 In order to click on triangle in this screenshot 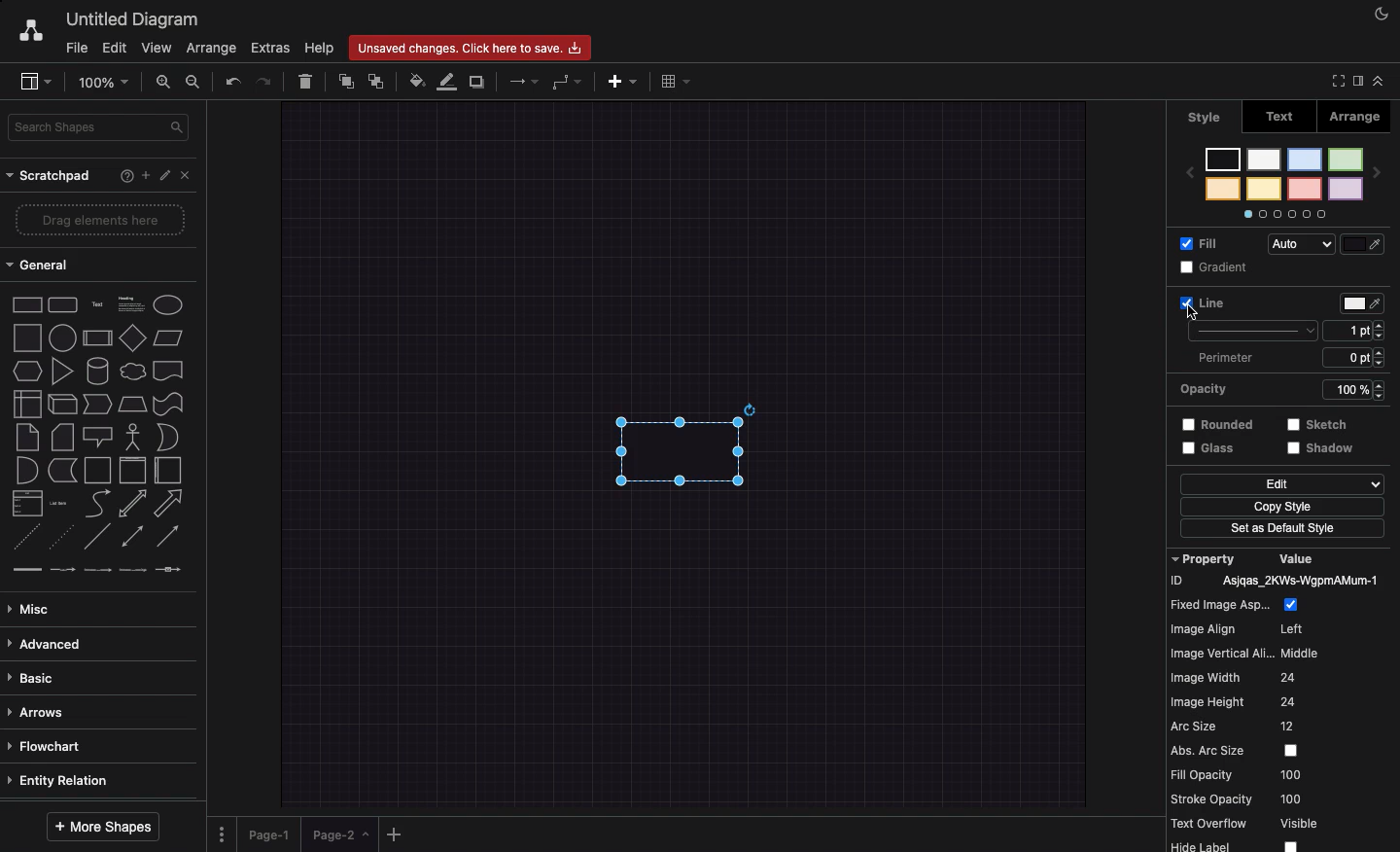, I will do `click(61, 372)`.